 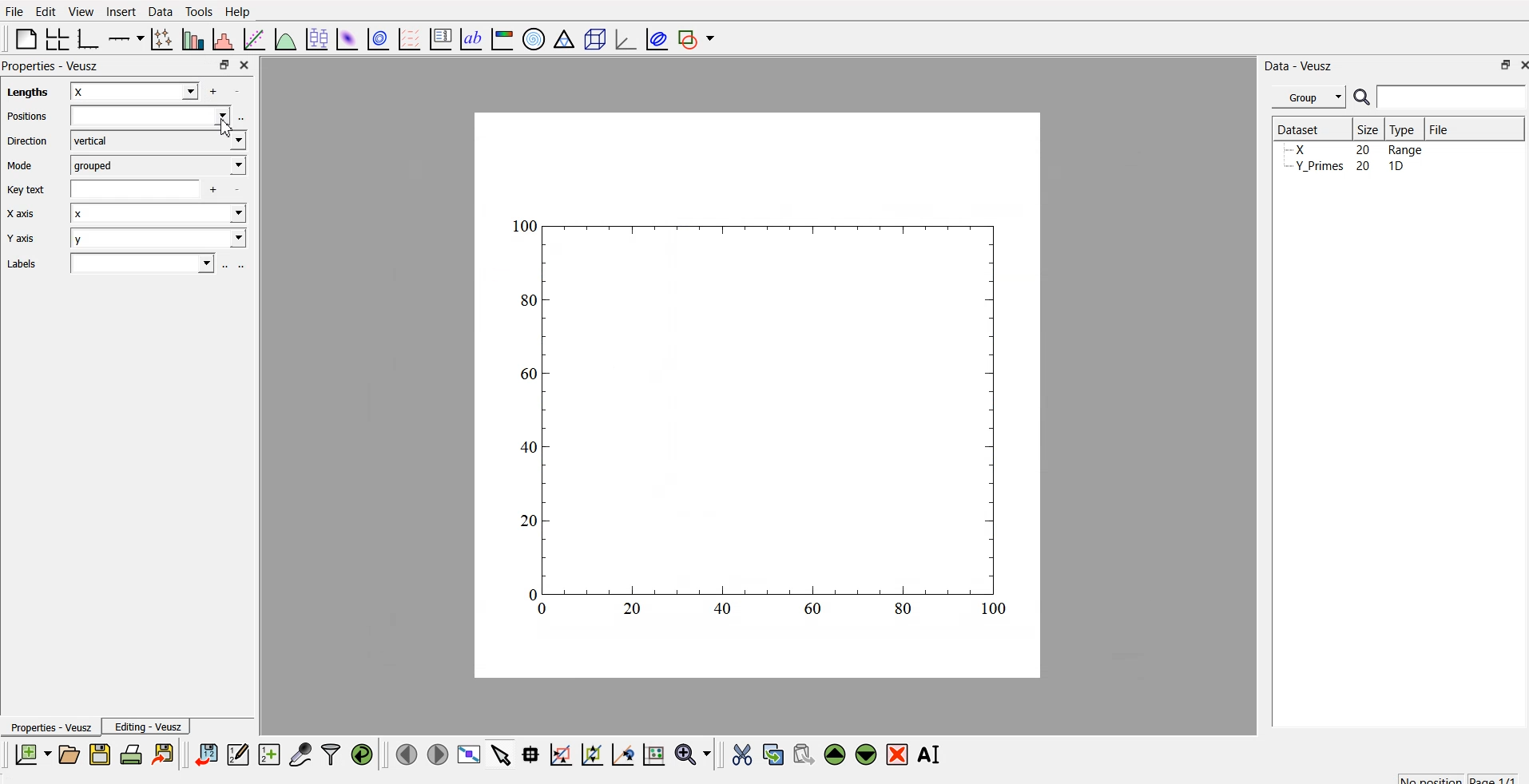 What do you see at coordinates (441, 37) in the screenshot?
I see `plot key` at bounding box center [441, 37].